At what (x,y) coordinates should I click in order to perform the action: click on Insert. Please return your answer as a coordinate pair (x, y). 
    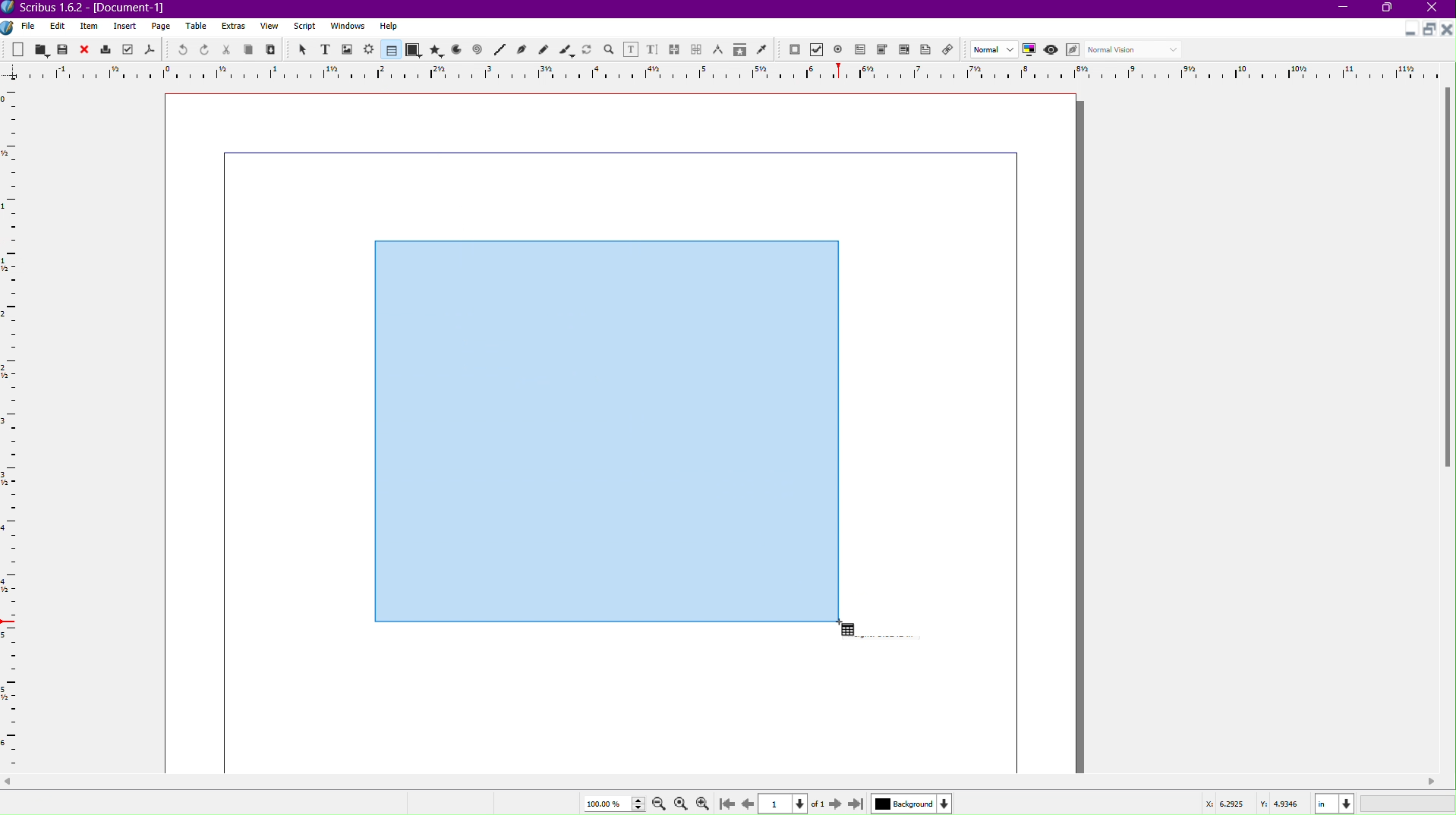
    Looking at the image, I should click on (125, 27).